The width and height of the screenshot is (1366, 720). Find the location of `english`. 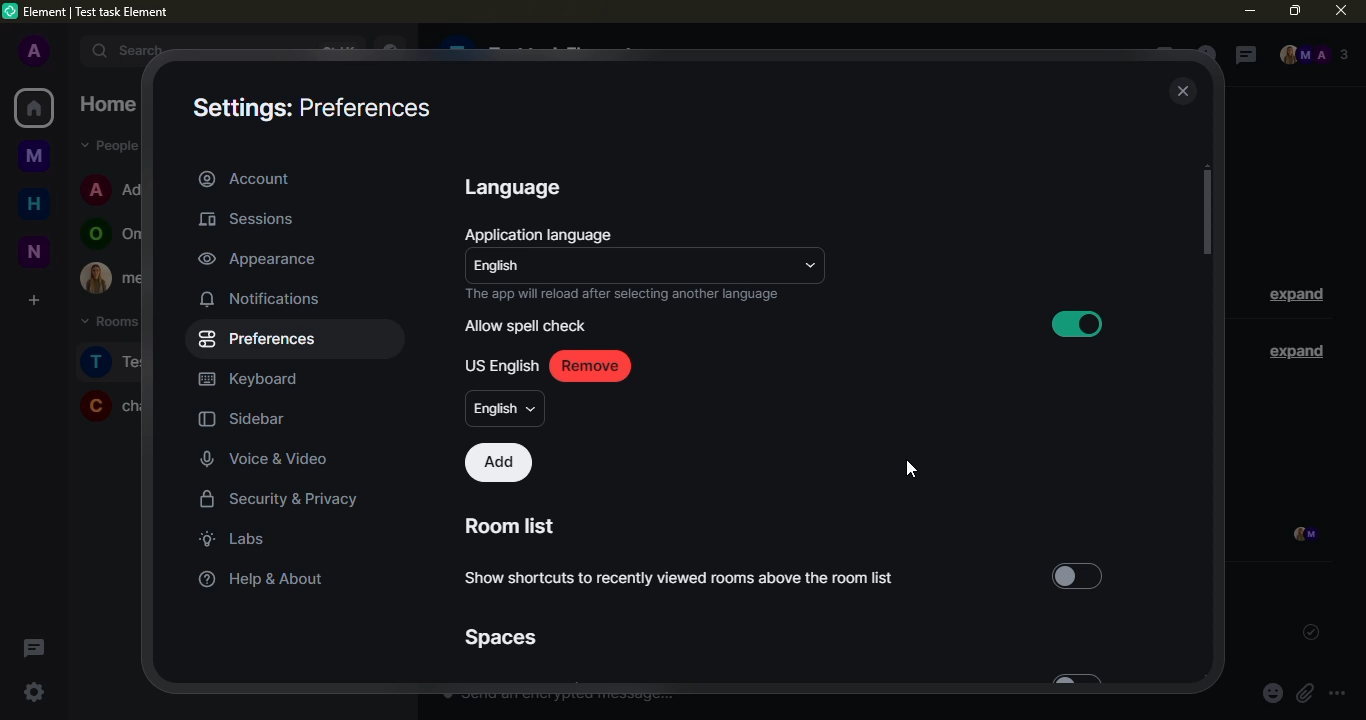

english is located at coordinates (503, 267).